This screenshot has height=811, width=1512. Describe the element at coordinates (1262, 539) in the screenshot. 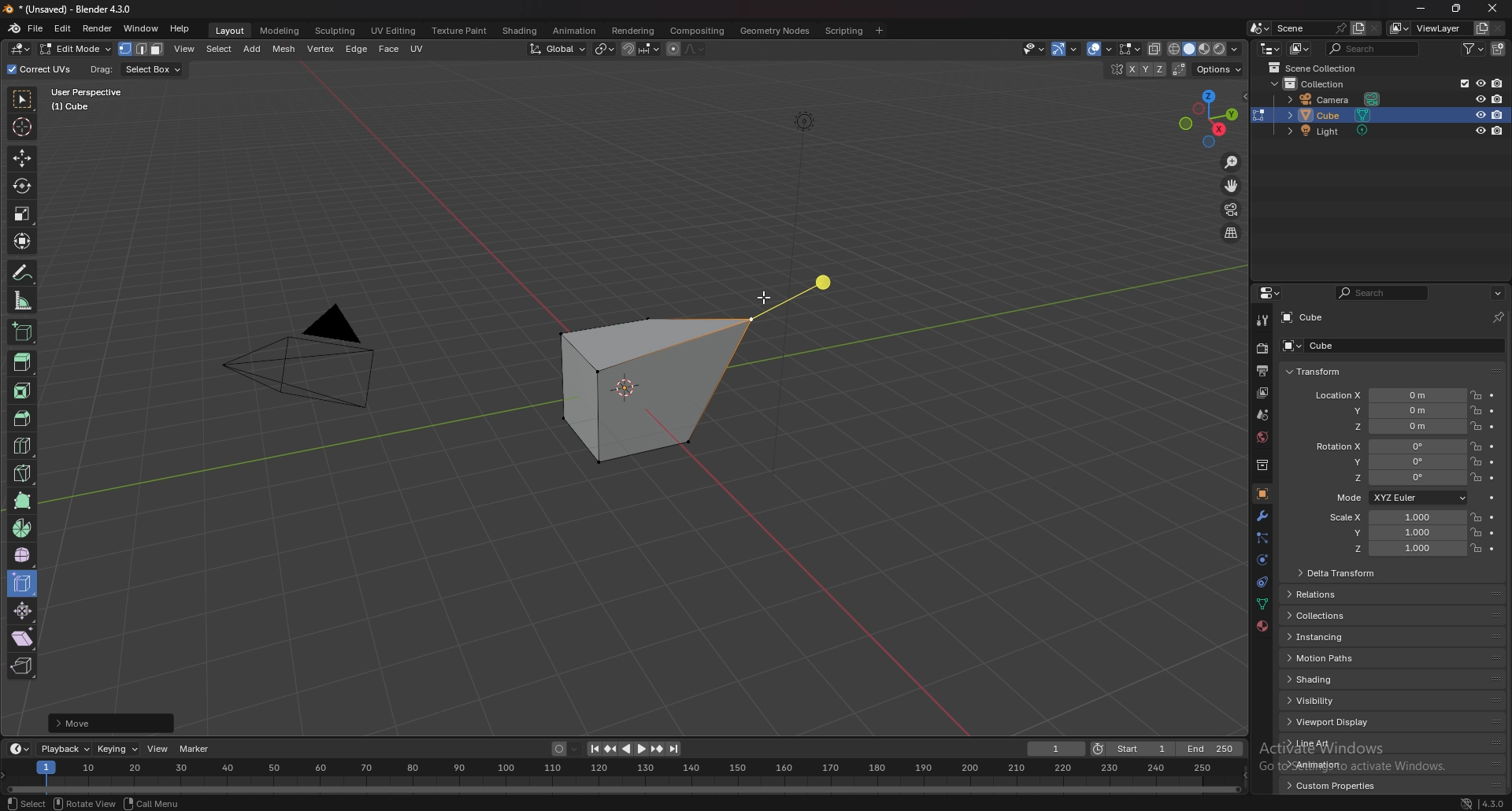

I see `particle` at that location.